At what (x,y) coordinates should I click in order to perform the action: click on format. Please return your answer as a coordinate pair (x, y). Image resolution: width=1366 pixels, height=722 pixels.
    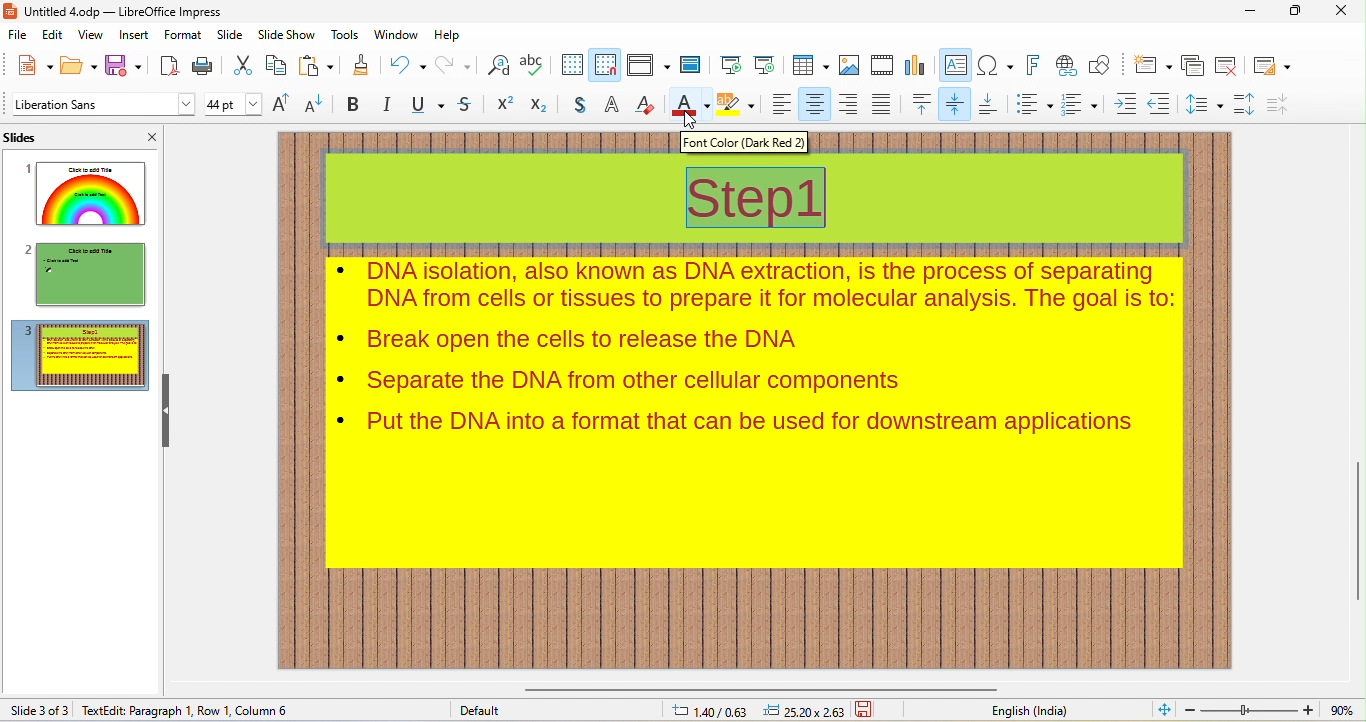
    Looking at the image, I should click on (180, 35).